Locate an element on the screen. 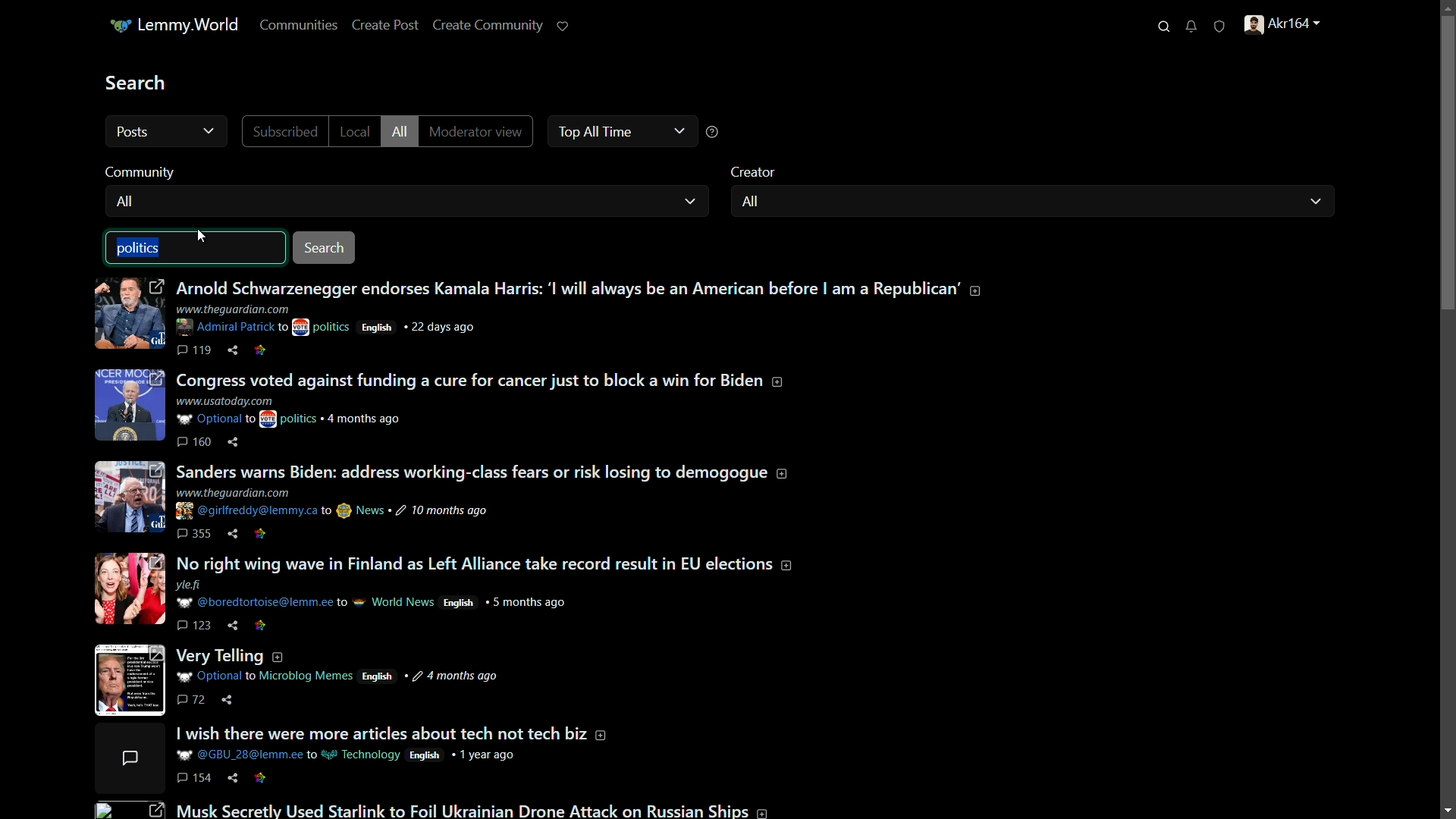  search is located at coordinates (1163, 29).